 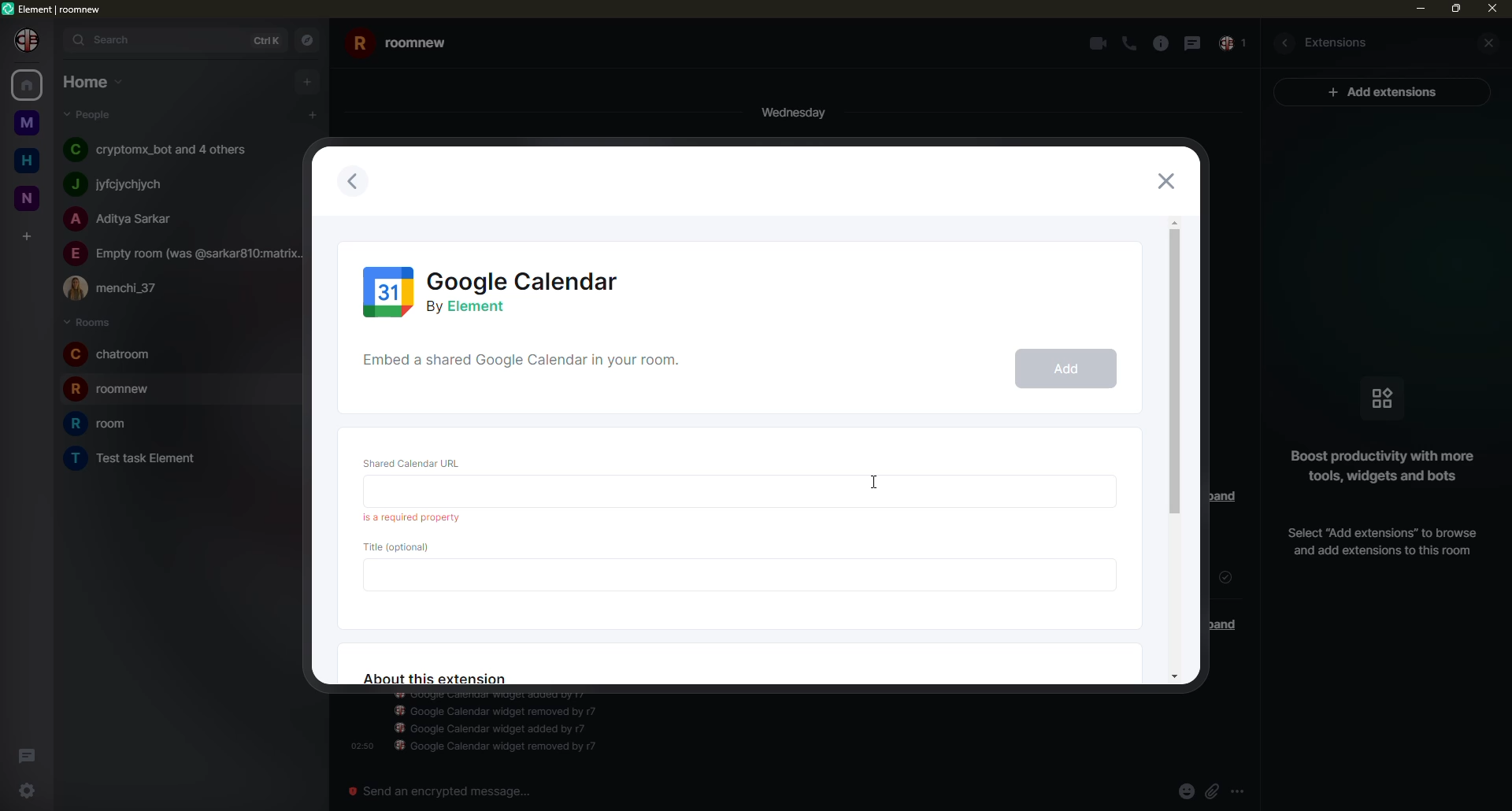 What do you see at coordinates (1174, 375) in the screenshot?
I see `scroll` at bounding box center [1174, 375].